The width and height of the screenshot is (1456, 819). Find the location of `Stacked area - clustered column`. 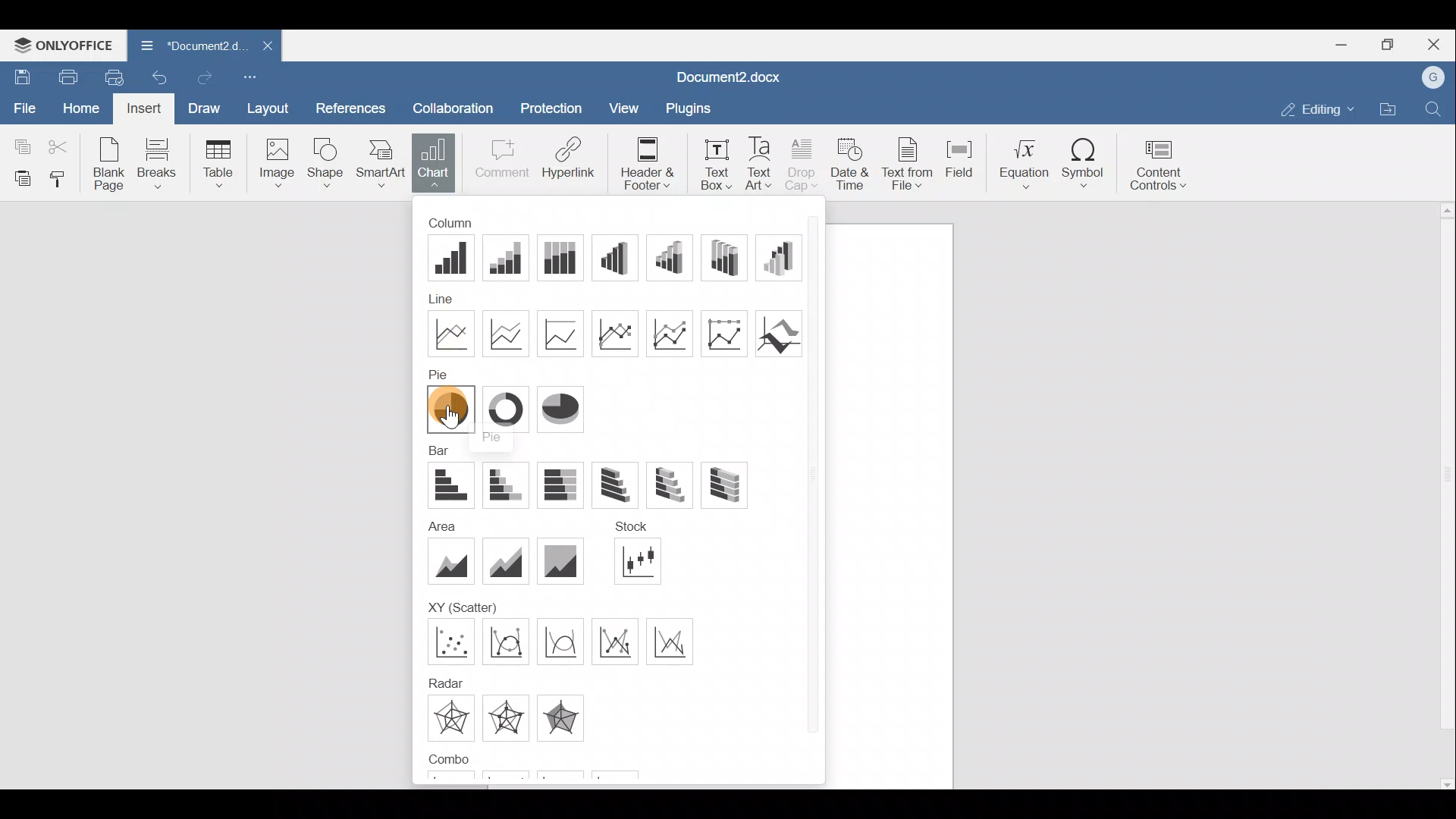

Stacked area - clustered column is located at coordinates (510, 780).